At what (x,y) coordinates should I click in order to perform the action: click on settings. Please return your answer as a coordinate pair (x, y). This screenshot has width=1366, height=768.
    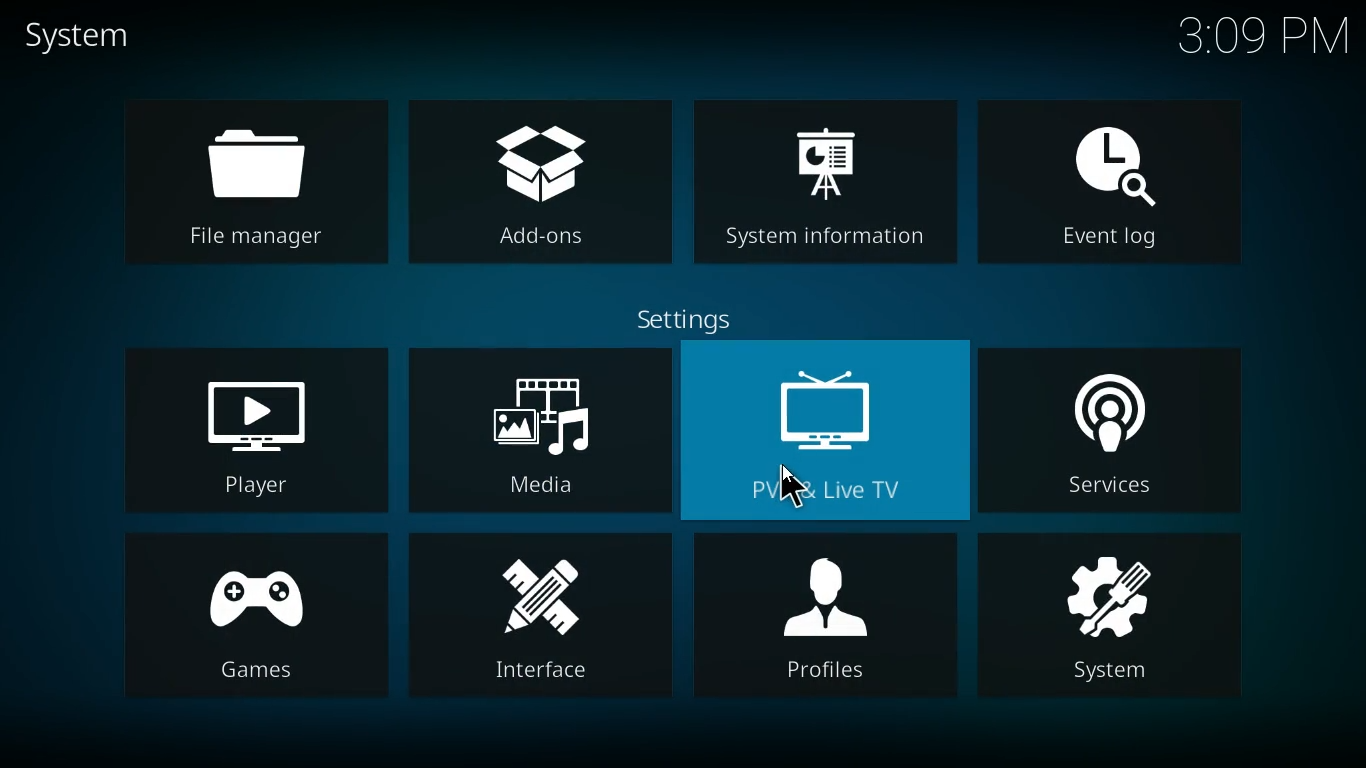
    Looking at the image, I should click on (703, 317).